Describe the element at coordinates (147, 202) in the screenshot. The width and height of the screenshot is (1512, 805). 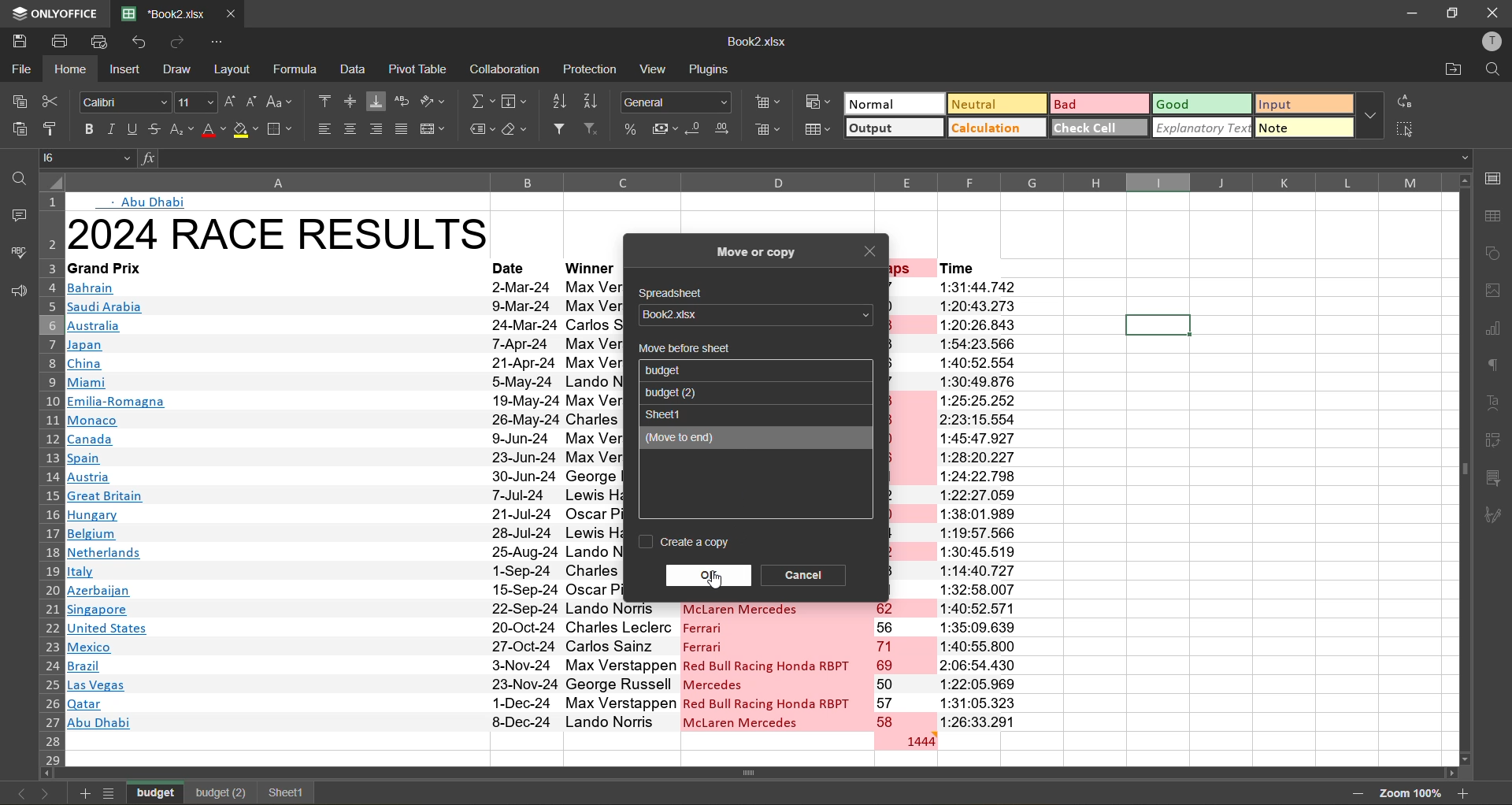
I see `text` at that location.